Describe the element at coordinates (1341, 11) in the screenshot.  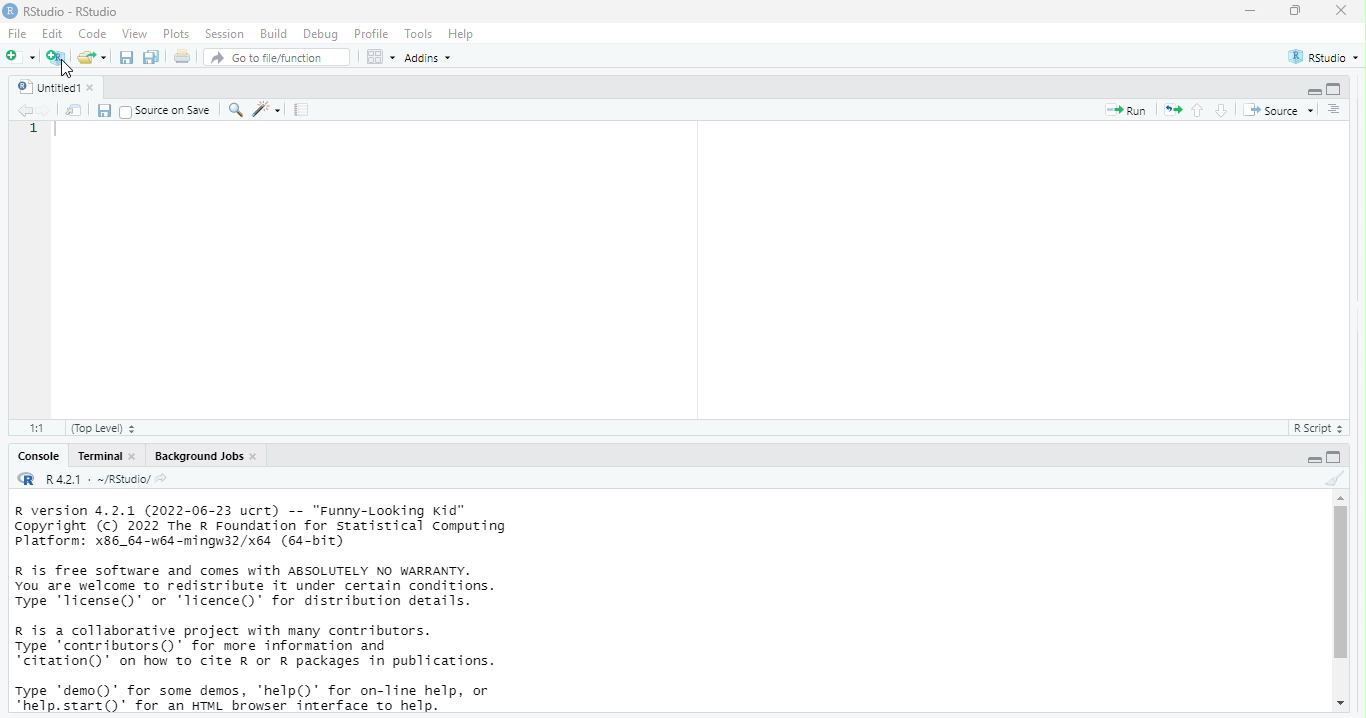
I see `close` at that location.